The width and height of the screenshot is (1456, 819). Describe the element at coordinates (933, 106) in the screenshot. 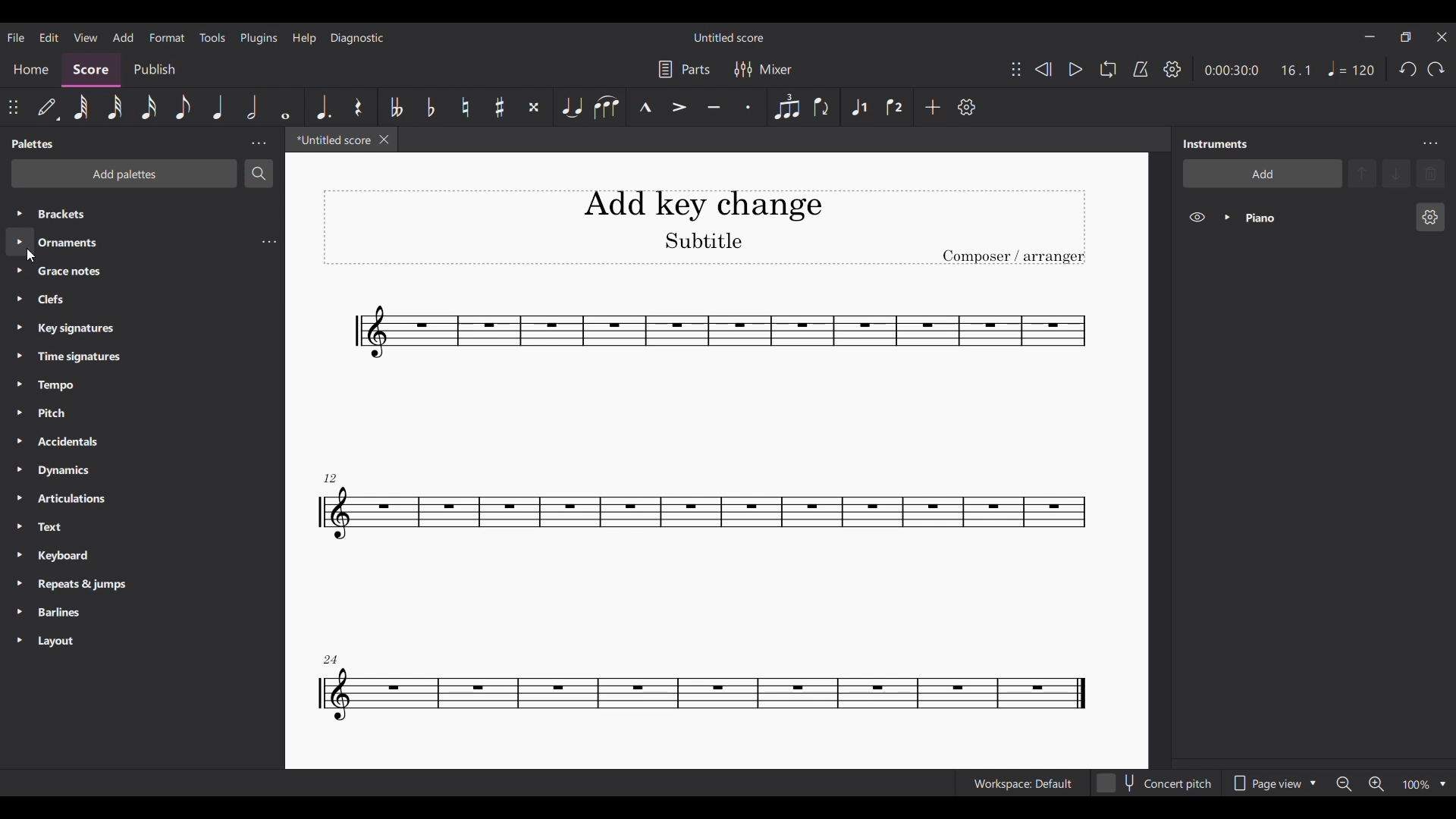

I see `Add` at that location.